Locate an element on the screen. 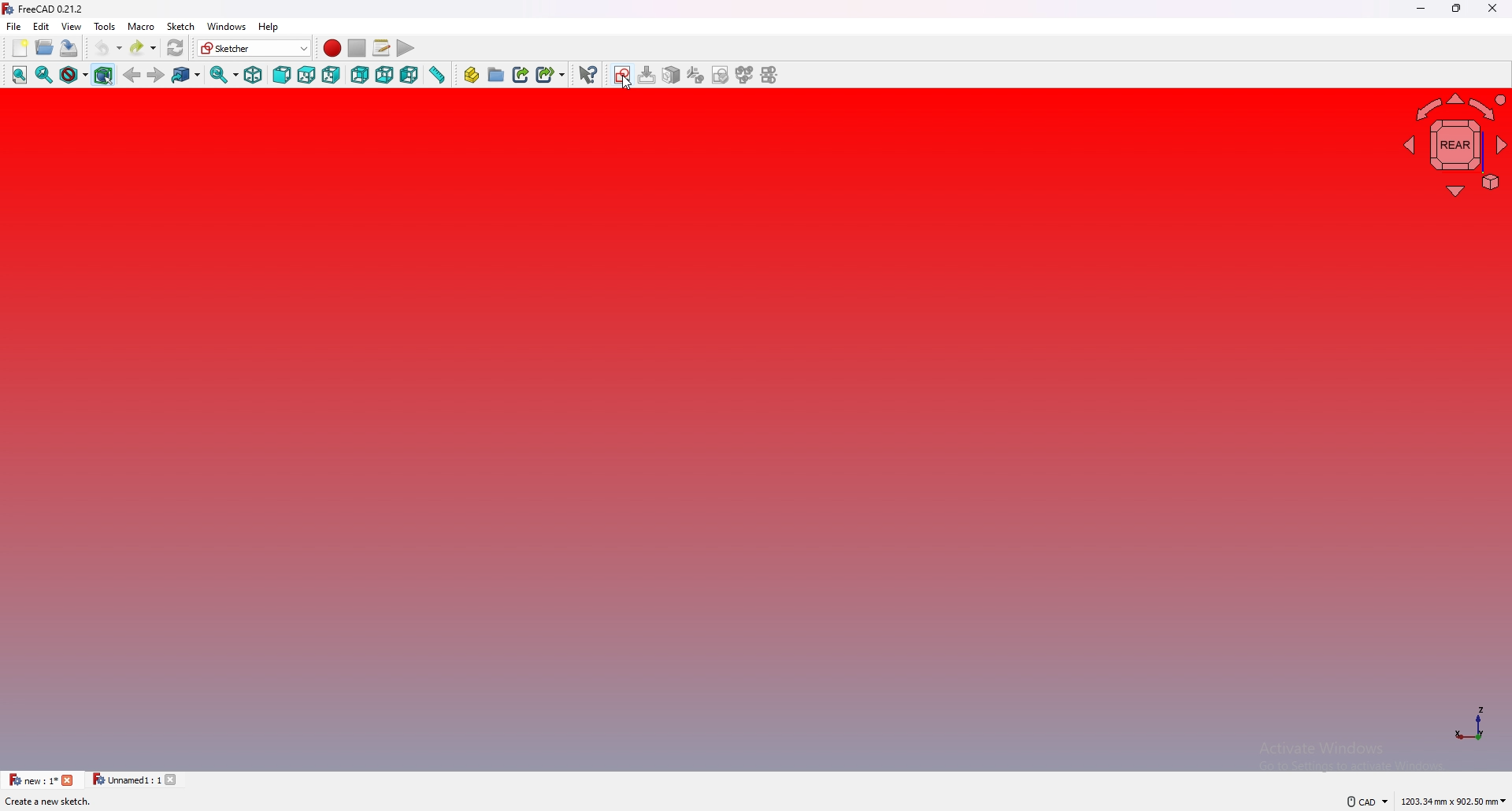 The image size is (1512, 811). Create a new sketch. is located at coordinates (50, 801).